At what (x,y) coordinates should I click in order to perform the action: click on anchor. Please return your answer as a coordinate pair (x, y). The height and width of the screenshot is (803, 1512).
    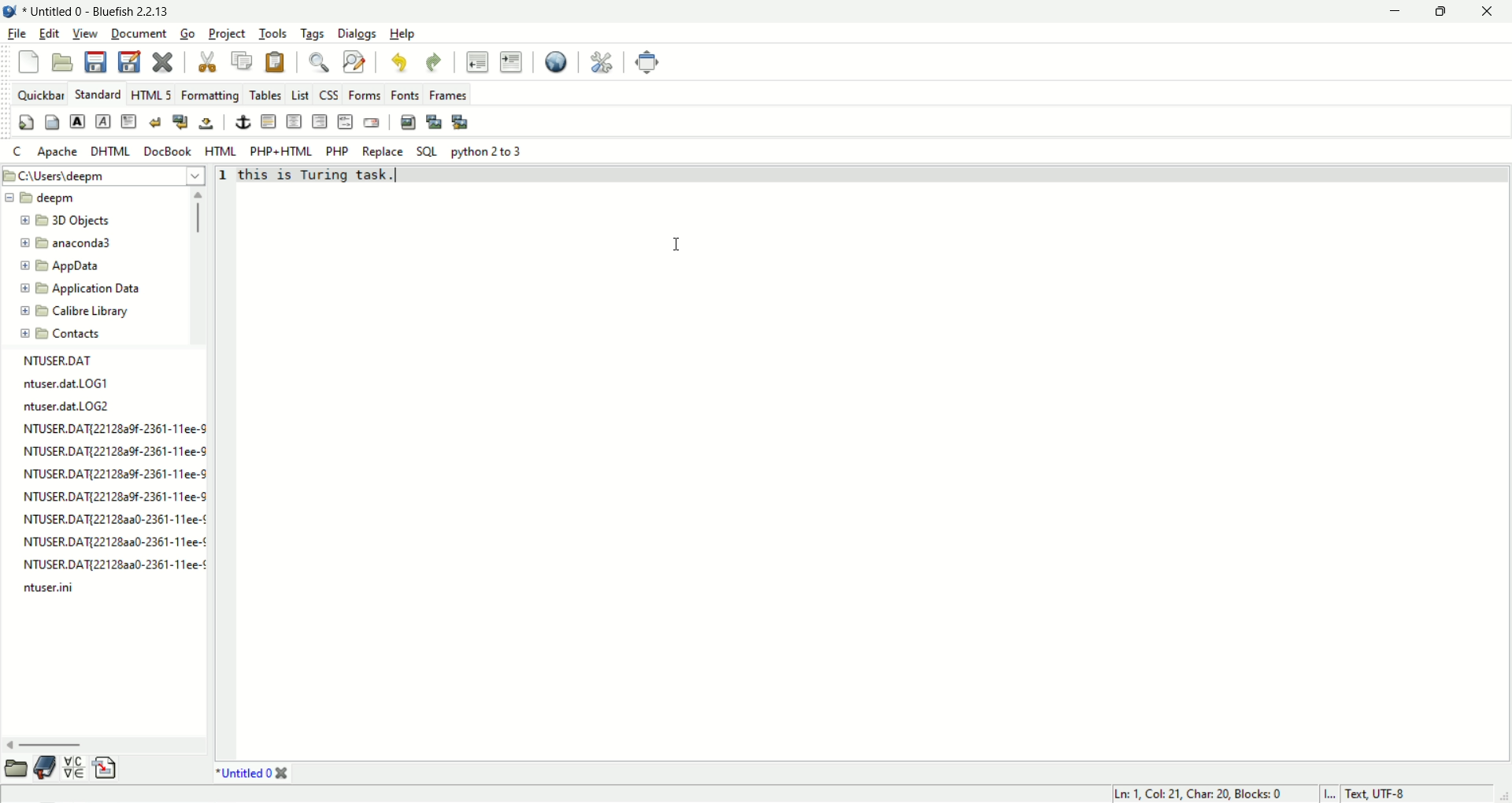
    Looking at the image, I should click on (243, 121).